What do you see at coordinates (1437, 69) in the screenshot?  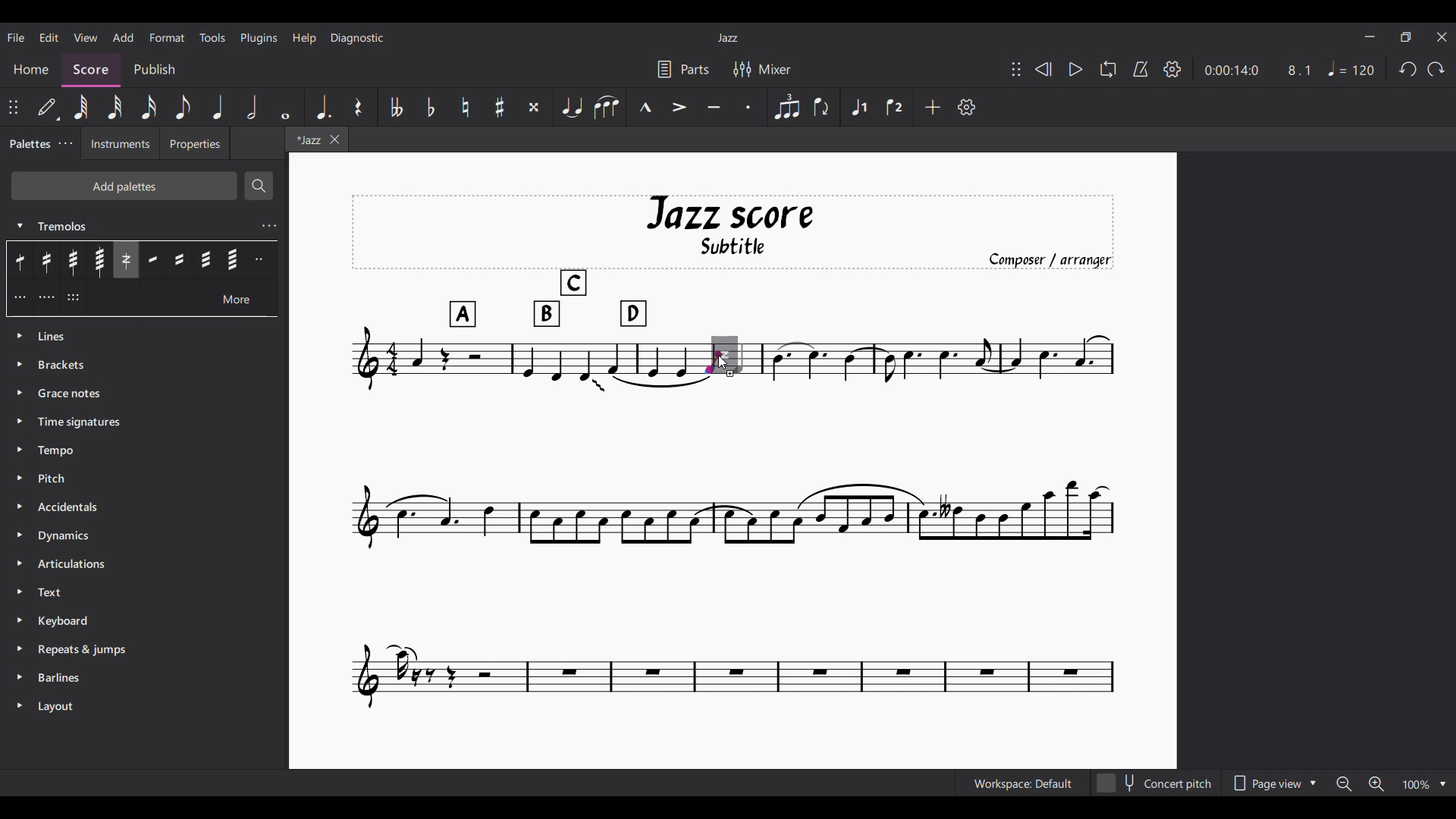 I see `Redo` at bounding box center [1437, 69].